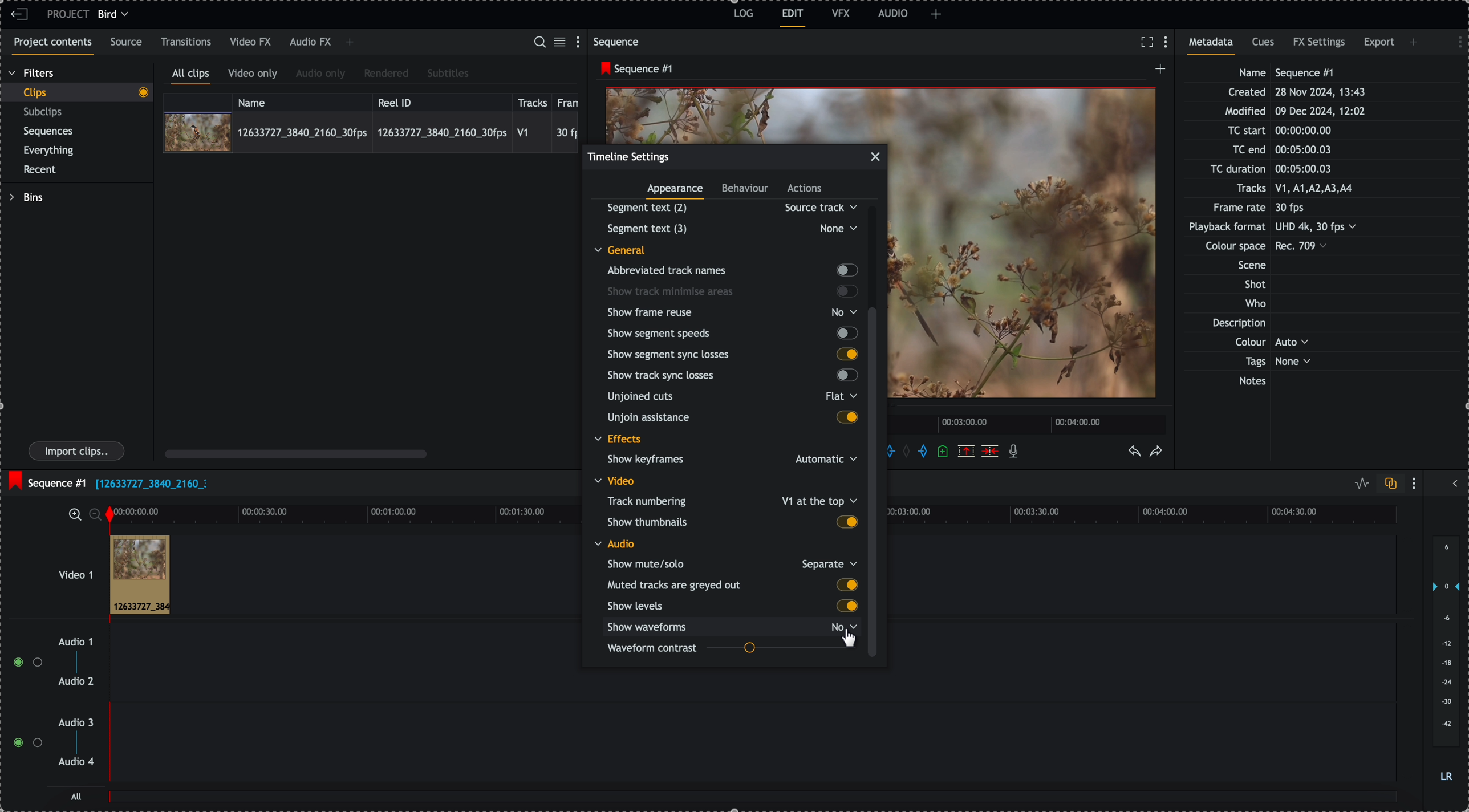  Describe the element at coordinates (730, 228) in the screenshot. I see `` at that location.